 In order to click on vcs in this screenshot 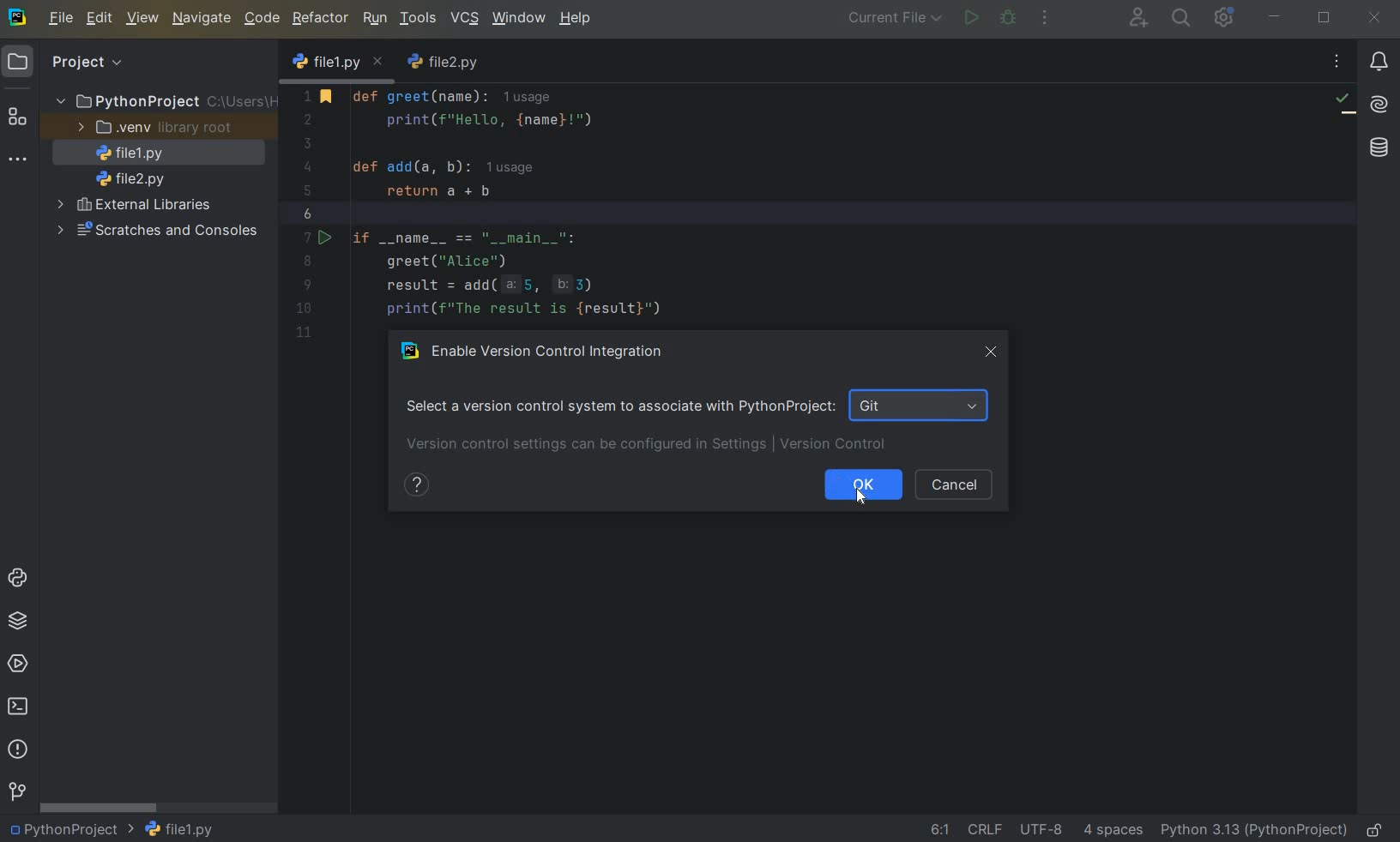, I will do `click(464, 17)`.